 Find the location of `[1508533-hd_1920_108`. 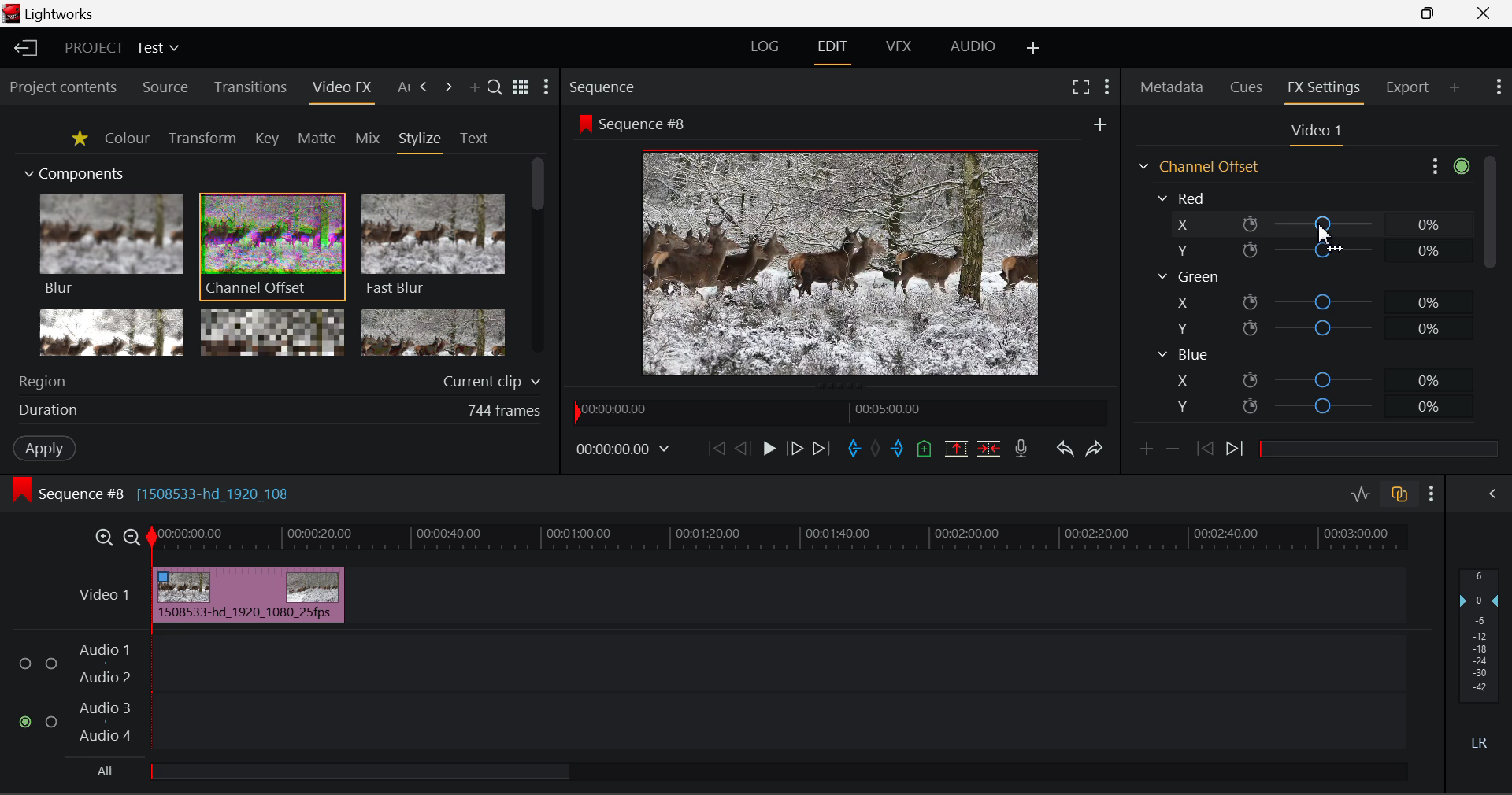

[1508533-hd_1920_108 is located at coordinates (216, 490).